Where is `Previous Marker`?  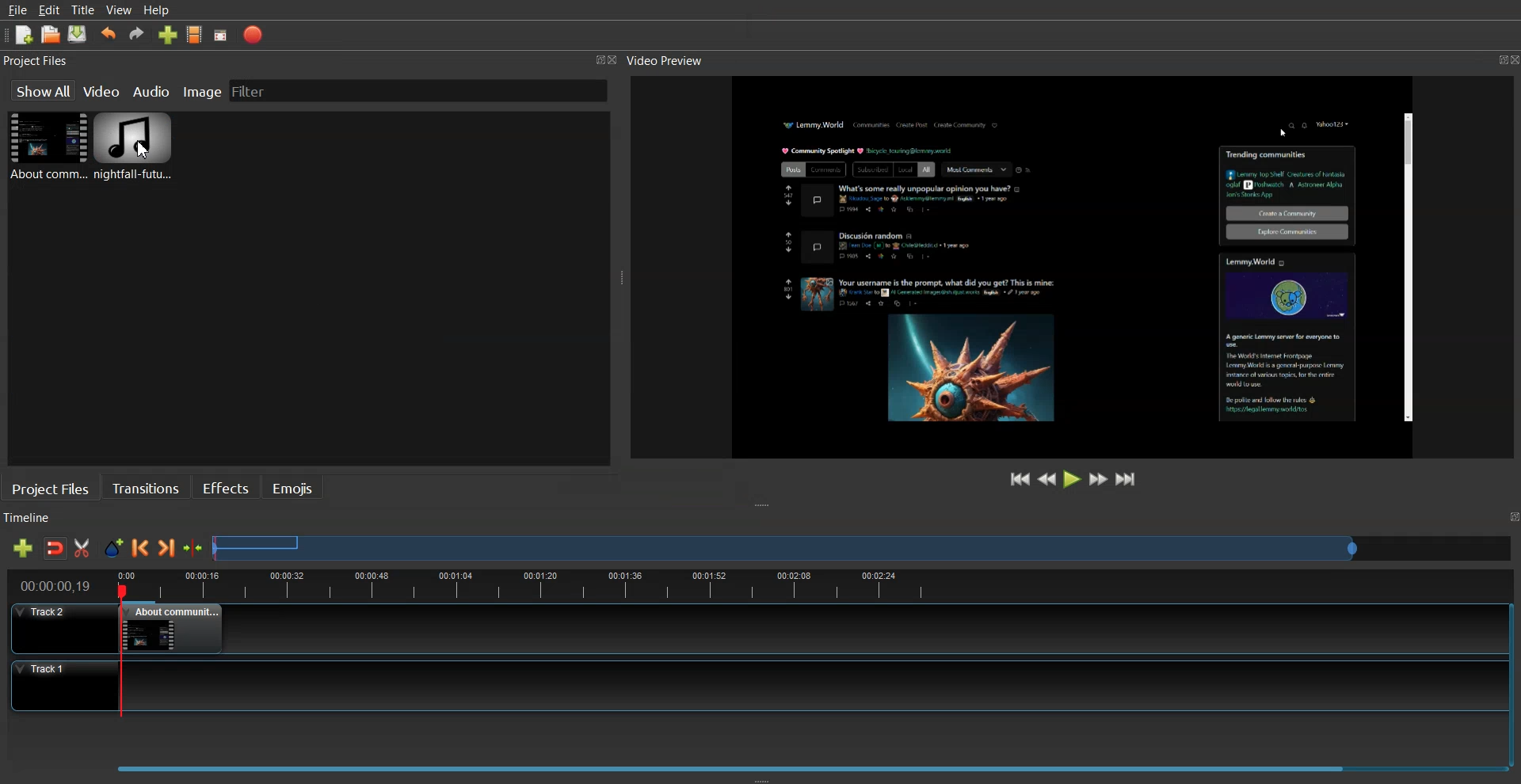
Previous Marker is located at coordinates (140, 547).